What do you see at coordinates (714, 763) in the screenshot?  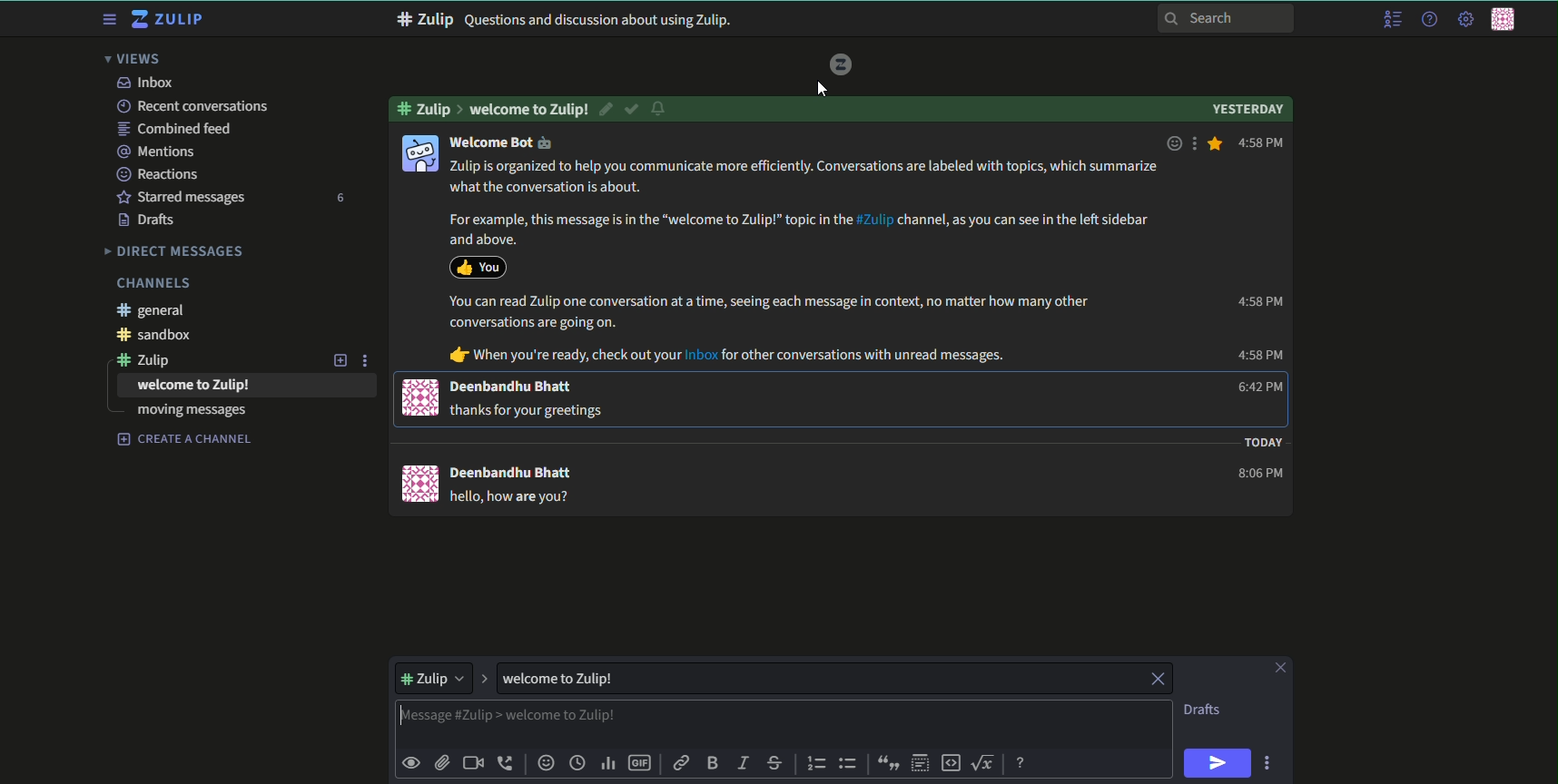 I see `bold` at bounding box center [714, 763].